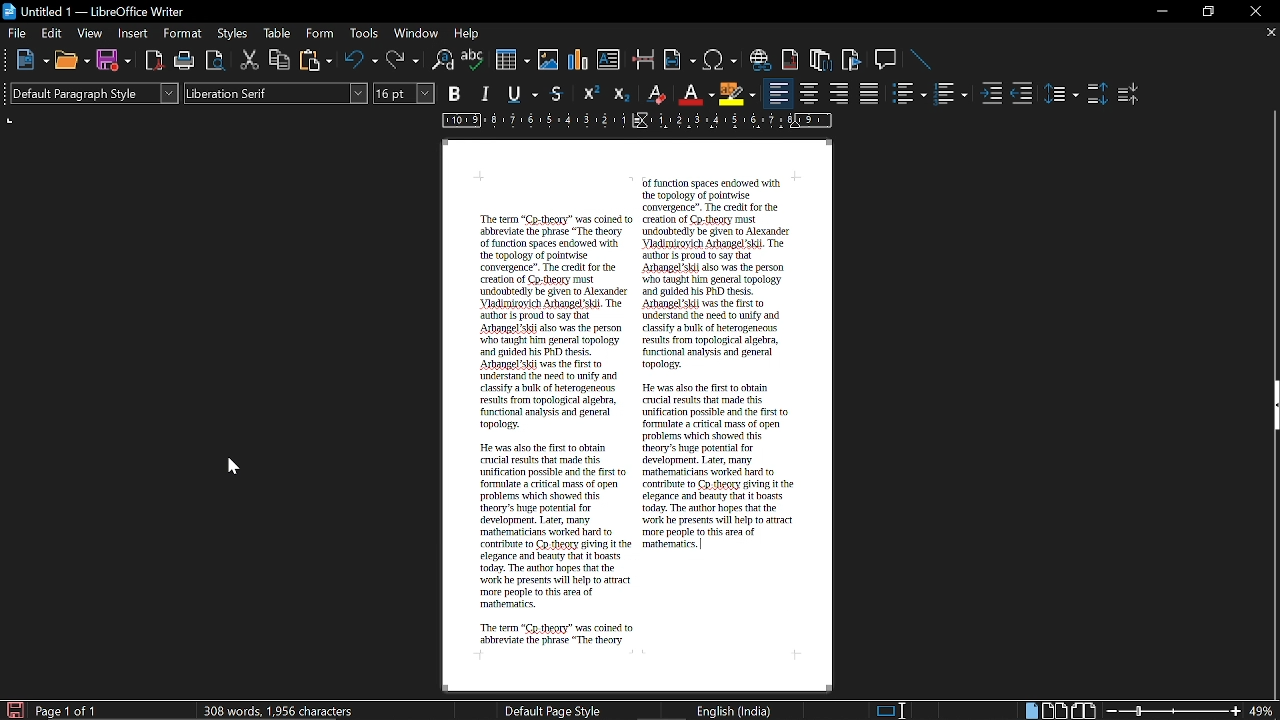  What do you see at coordinates (637, 121) in the screenshot?
I see `Scale` at bounding box center [637, 121].